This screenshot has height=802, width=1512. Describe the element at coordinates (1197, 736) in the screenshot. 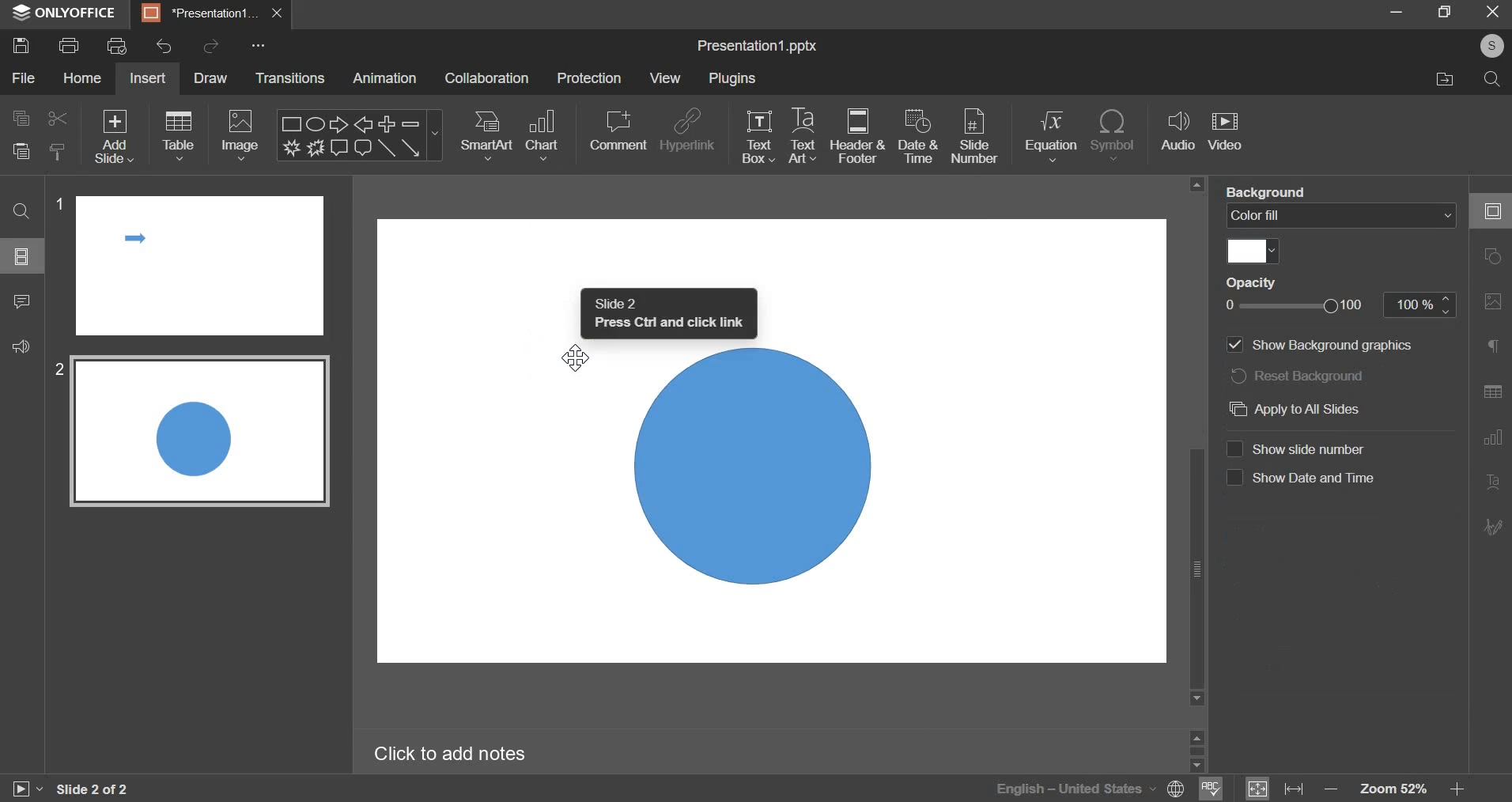

I see ` scroll up ` at that location.